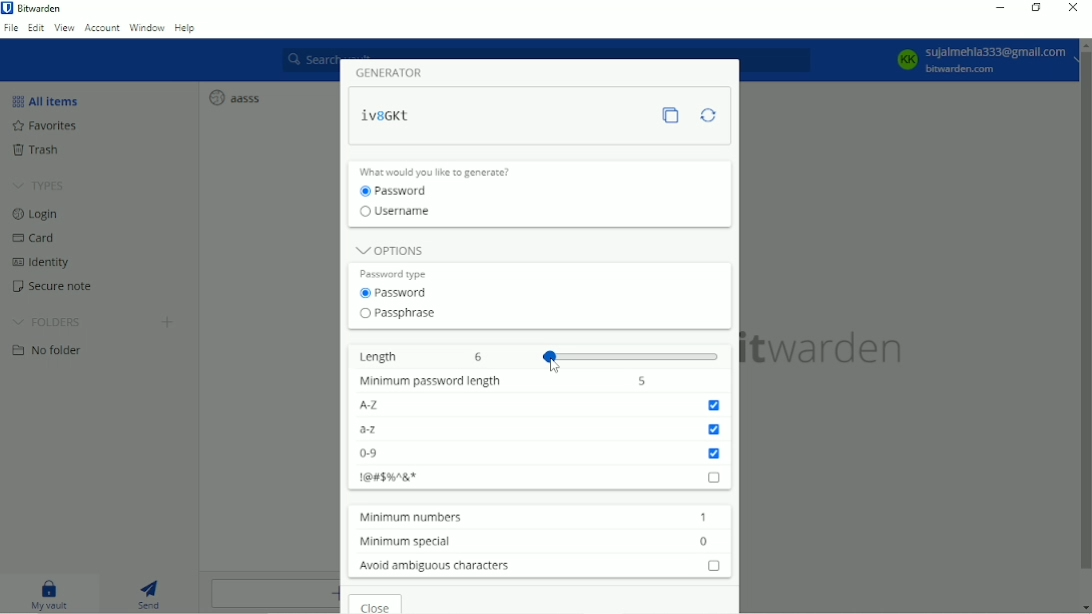  I want to click on Restore down, so click(1036, 9).